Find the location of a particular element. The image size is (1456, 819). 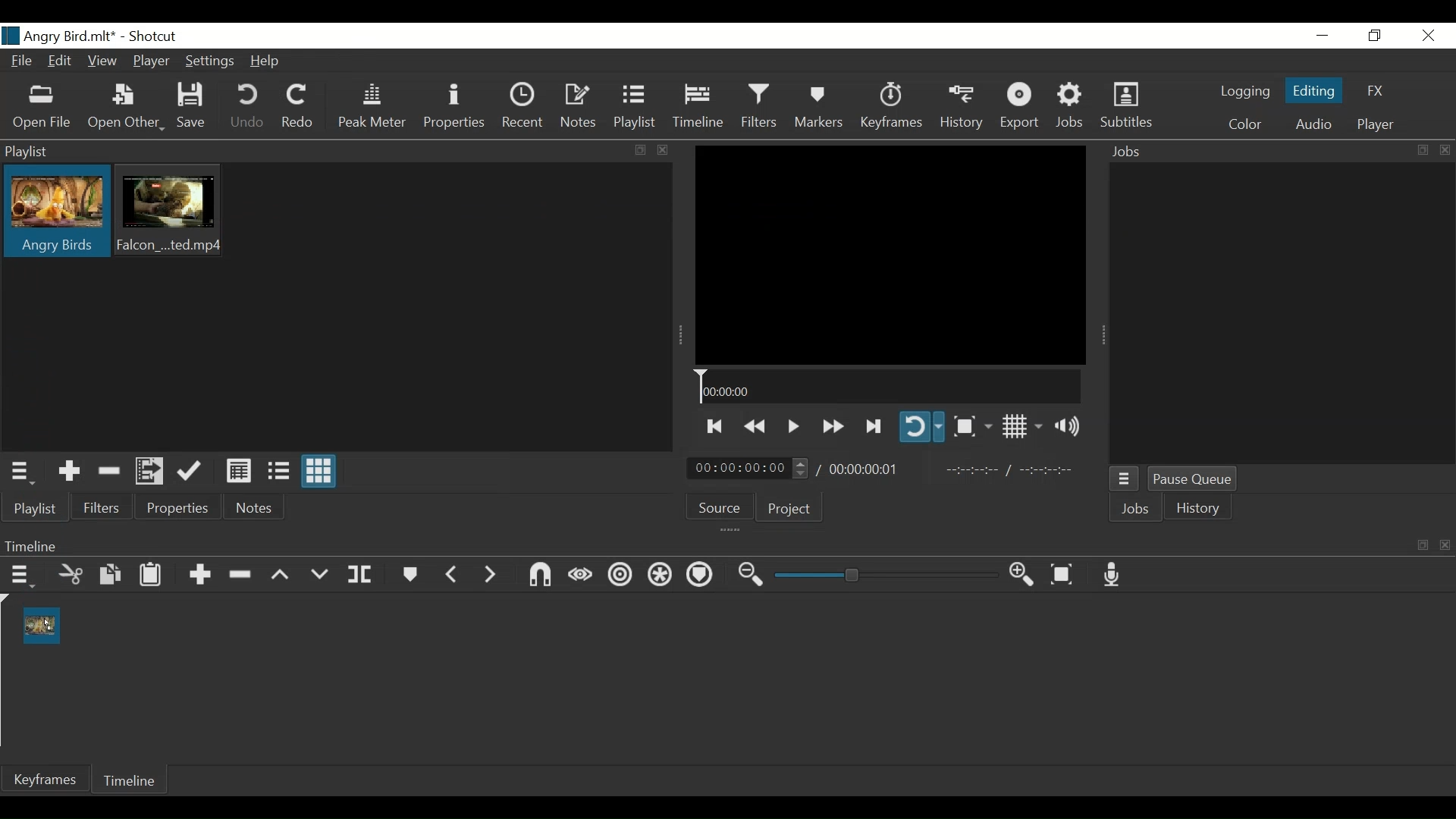

Update is located at coordinates (190, 471).